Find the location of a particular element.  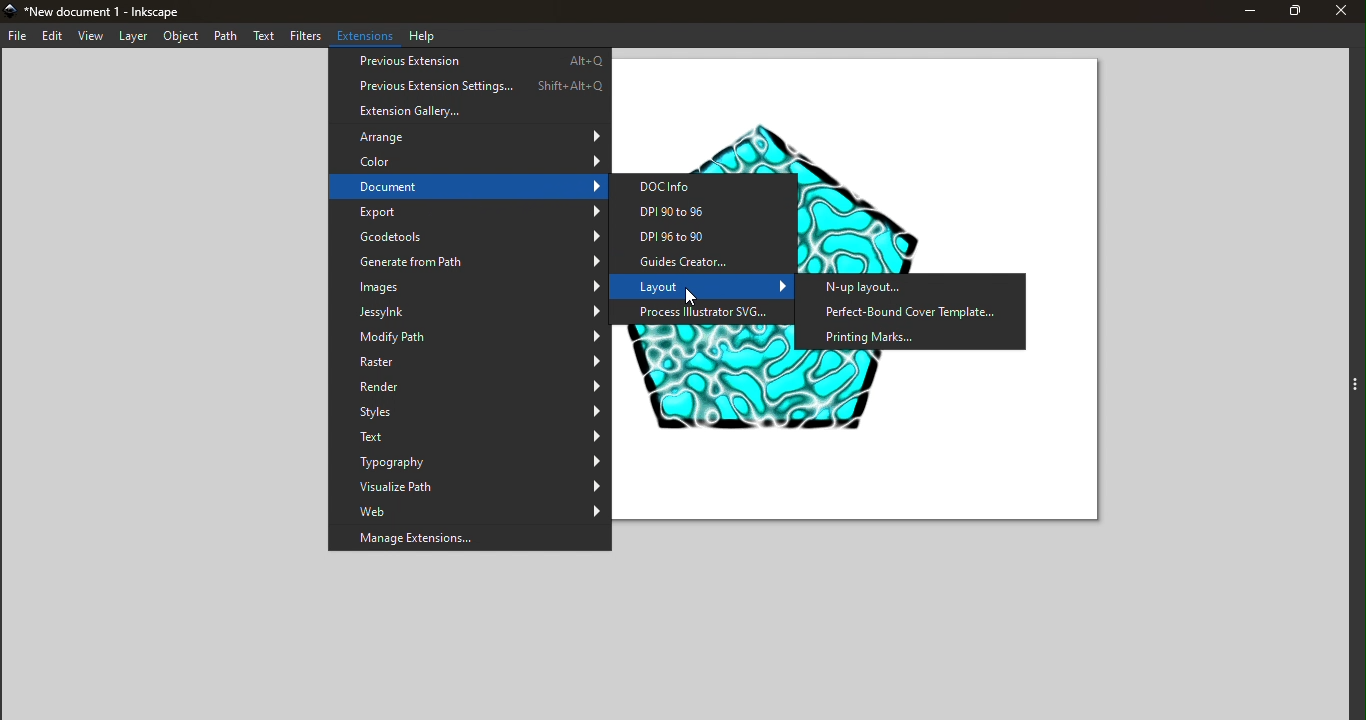

Previous Extension is located at coordinates (469, 60).